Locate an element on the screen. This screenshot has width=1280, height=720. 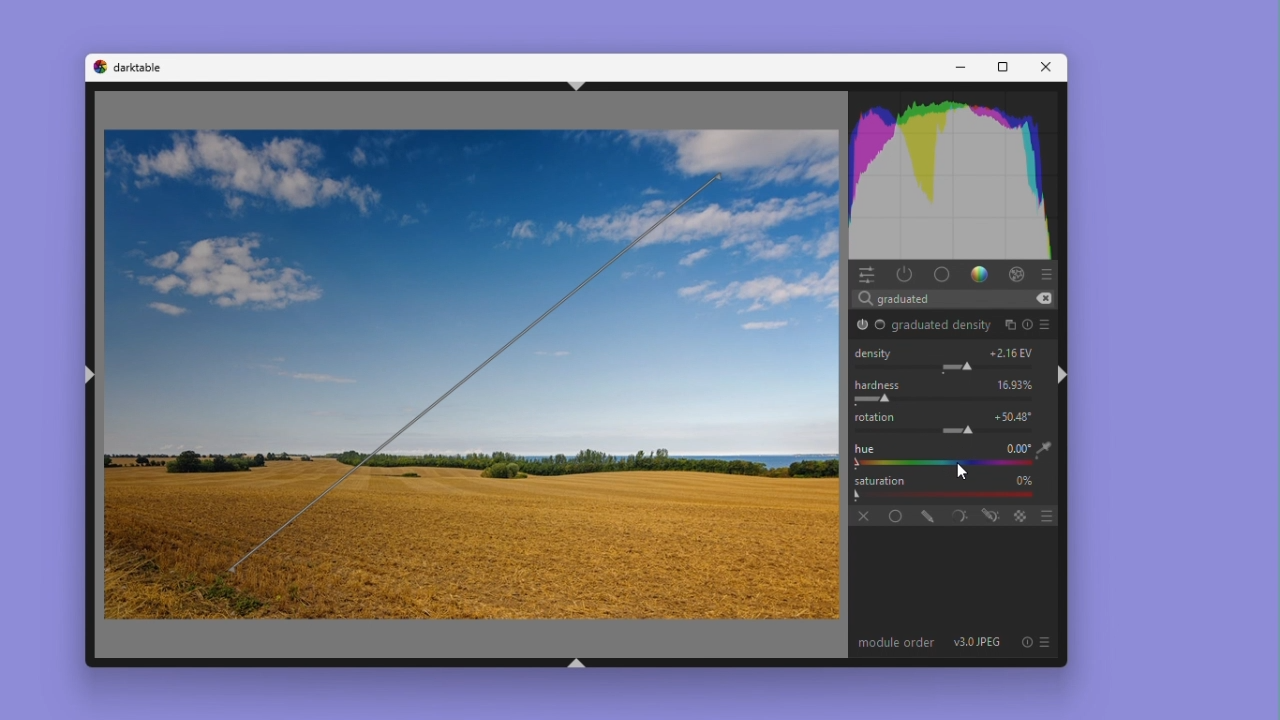
Hardness is located at coordinates (879, 385).